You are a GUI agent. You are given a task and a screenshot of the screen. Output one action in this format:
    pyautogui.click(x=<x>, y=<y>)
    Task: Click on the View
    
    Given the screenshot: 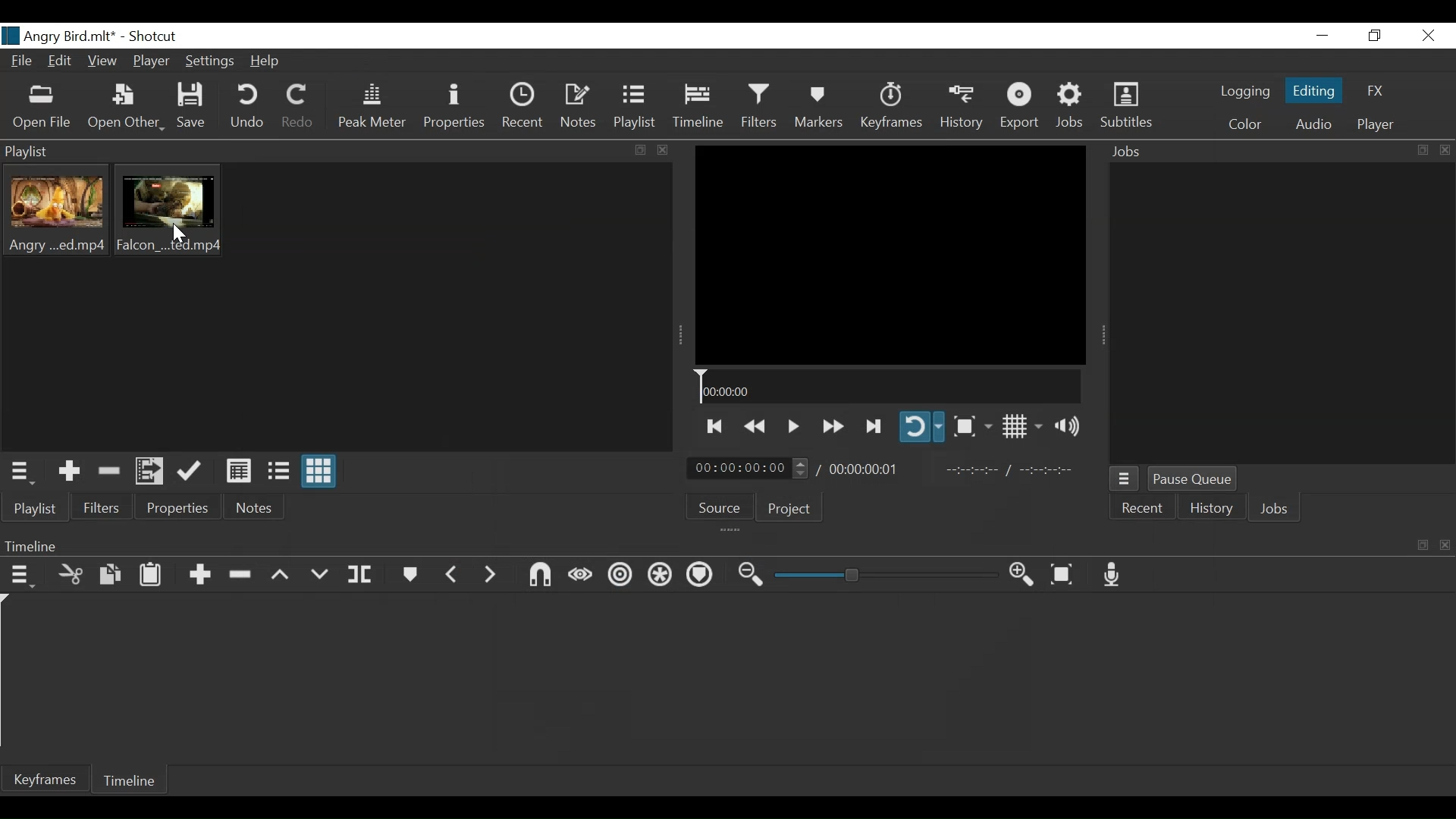 What is the action you would take?
    pyautogui.click(x=102, y=62)
    